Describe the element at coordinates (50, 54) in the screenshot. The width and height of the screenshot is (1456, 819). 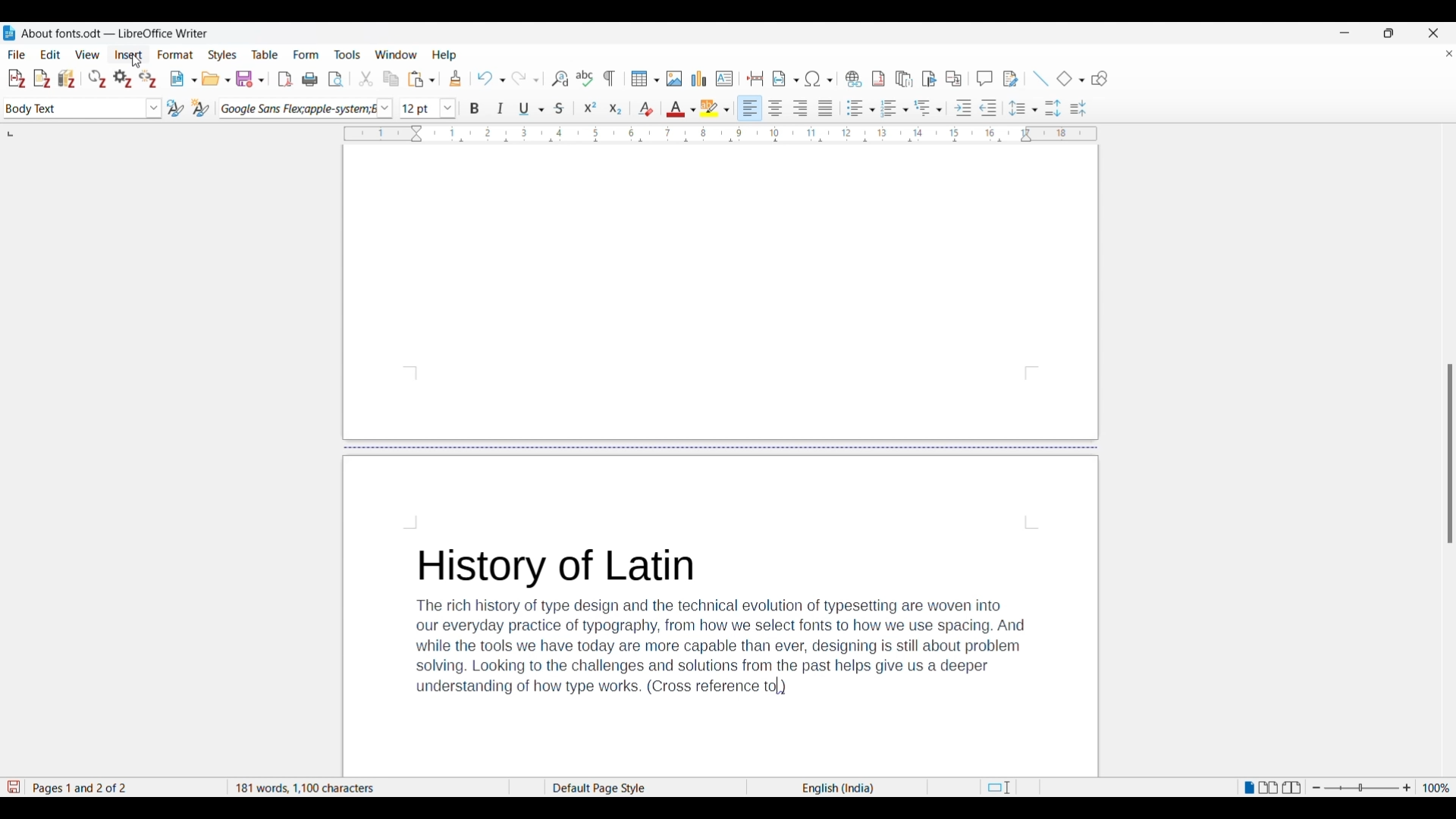
I see `Edit menu` at that location.